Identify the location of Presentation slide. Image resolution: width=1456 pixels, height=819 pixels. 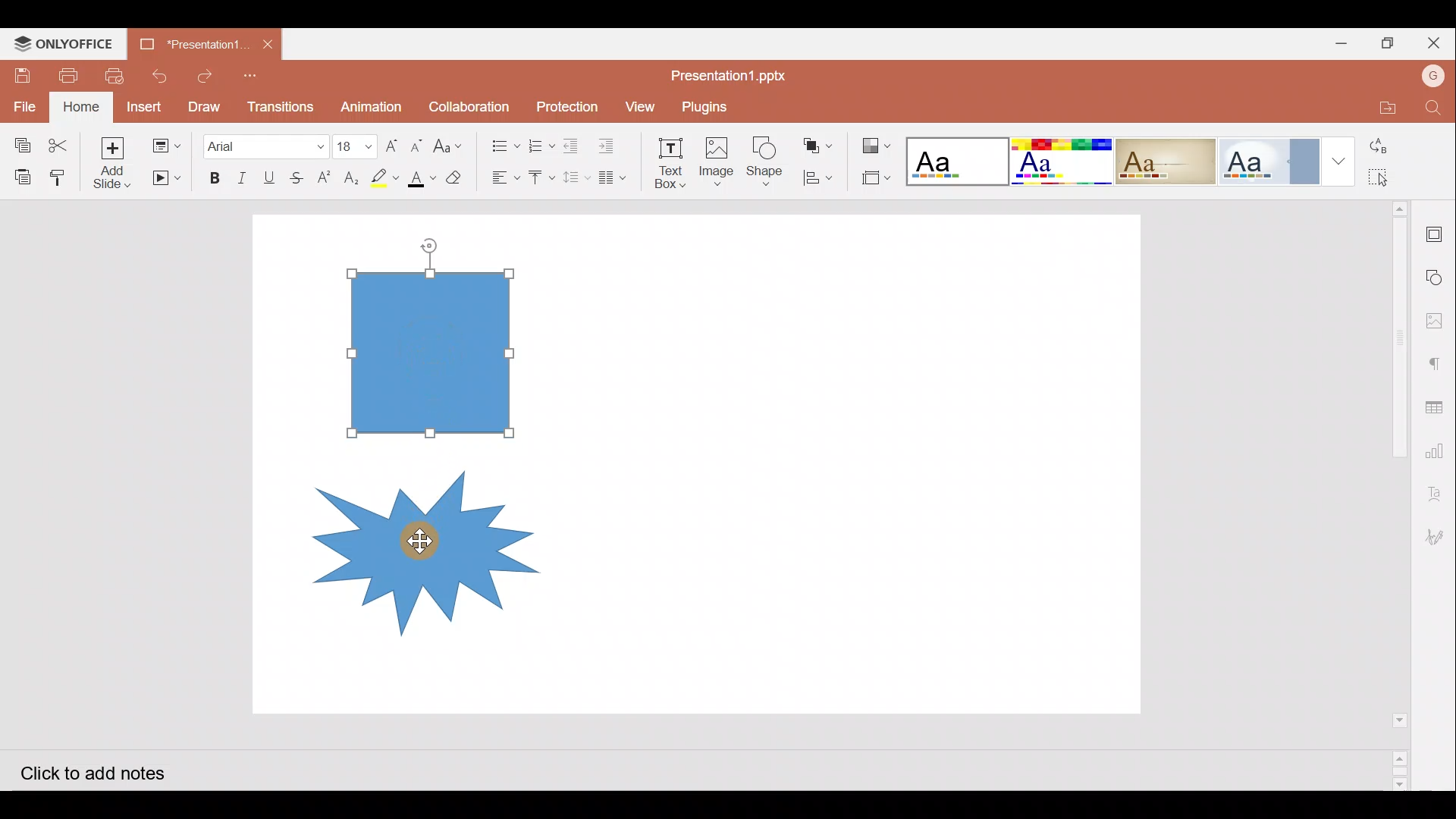
(864, 464).